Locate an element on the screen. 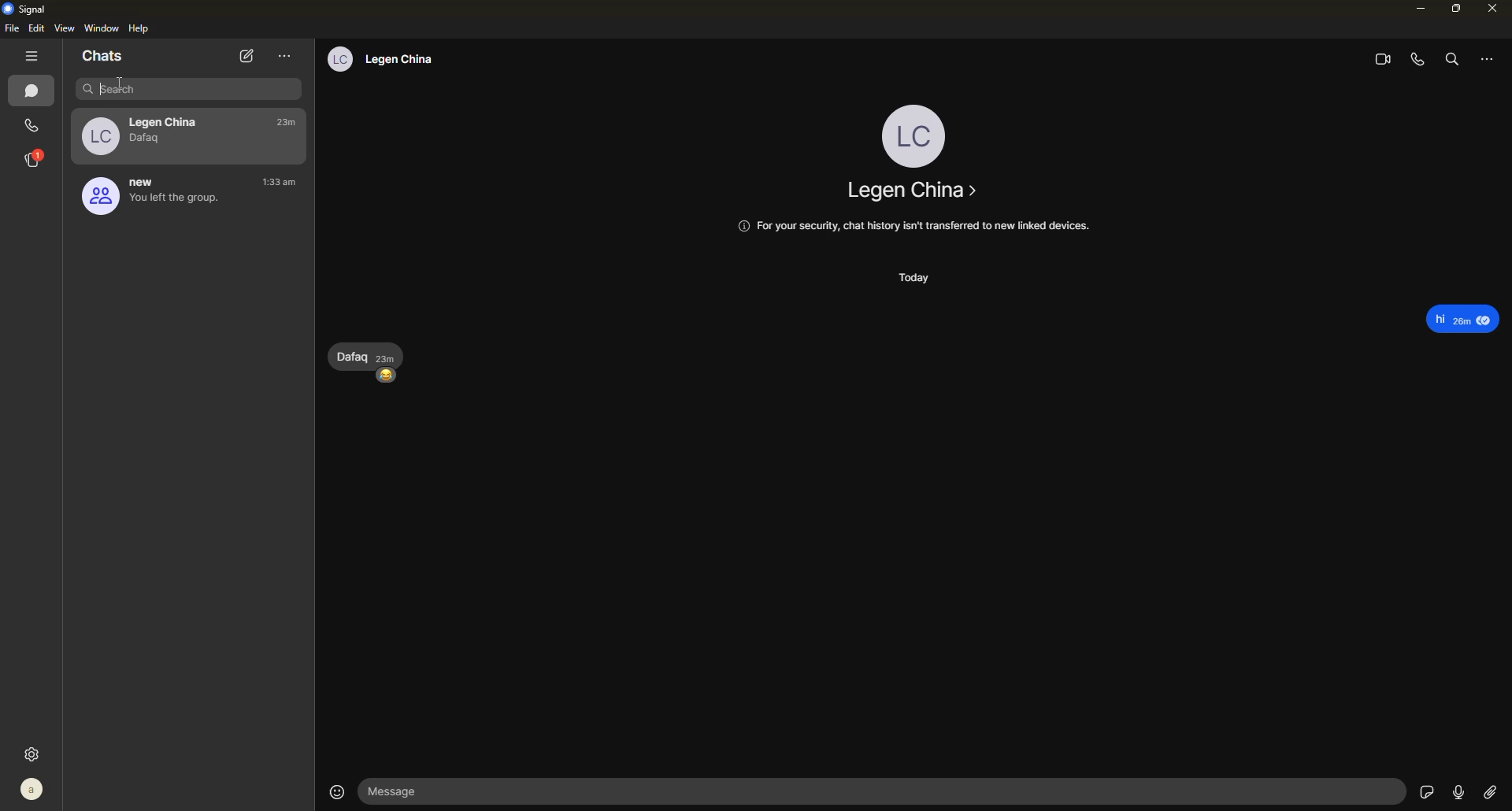  legan china  is located at coordinates (168, 120).